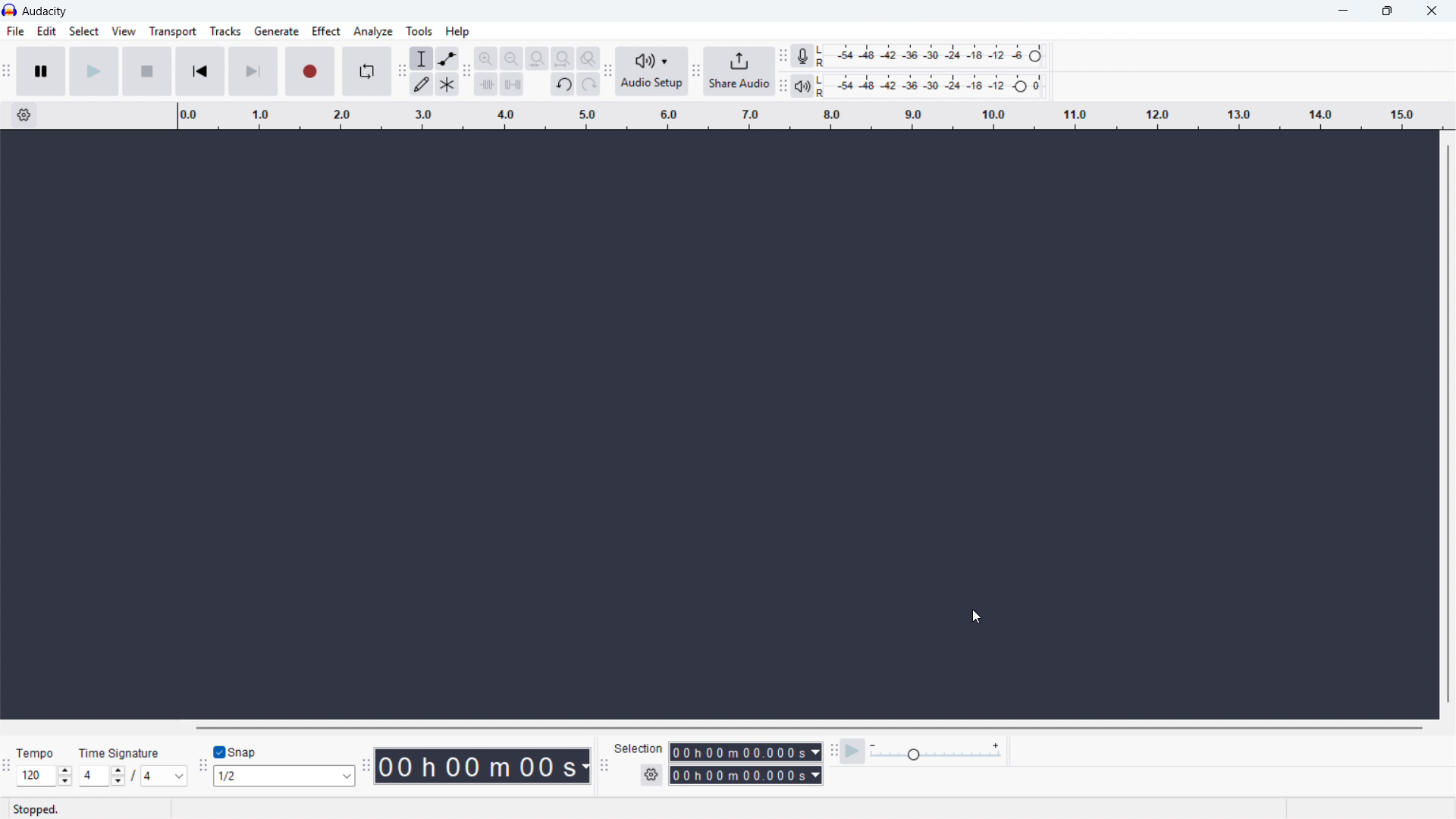 The width and height of the screenshot is (1456, 819). I want to click on start time, so click(719, 752).